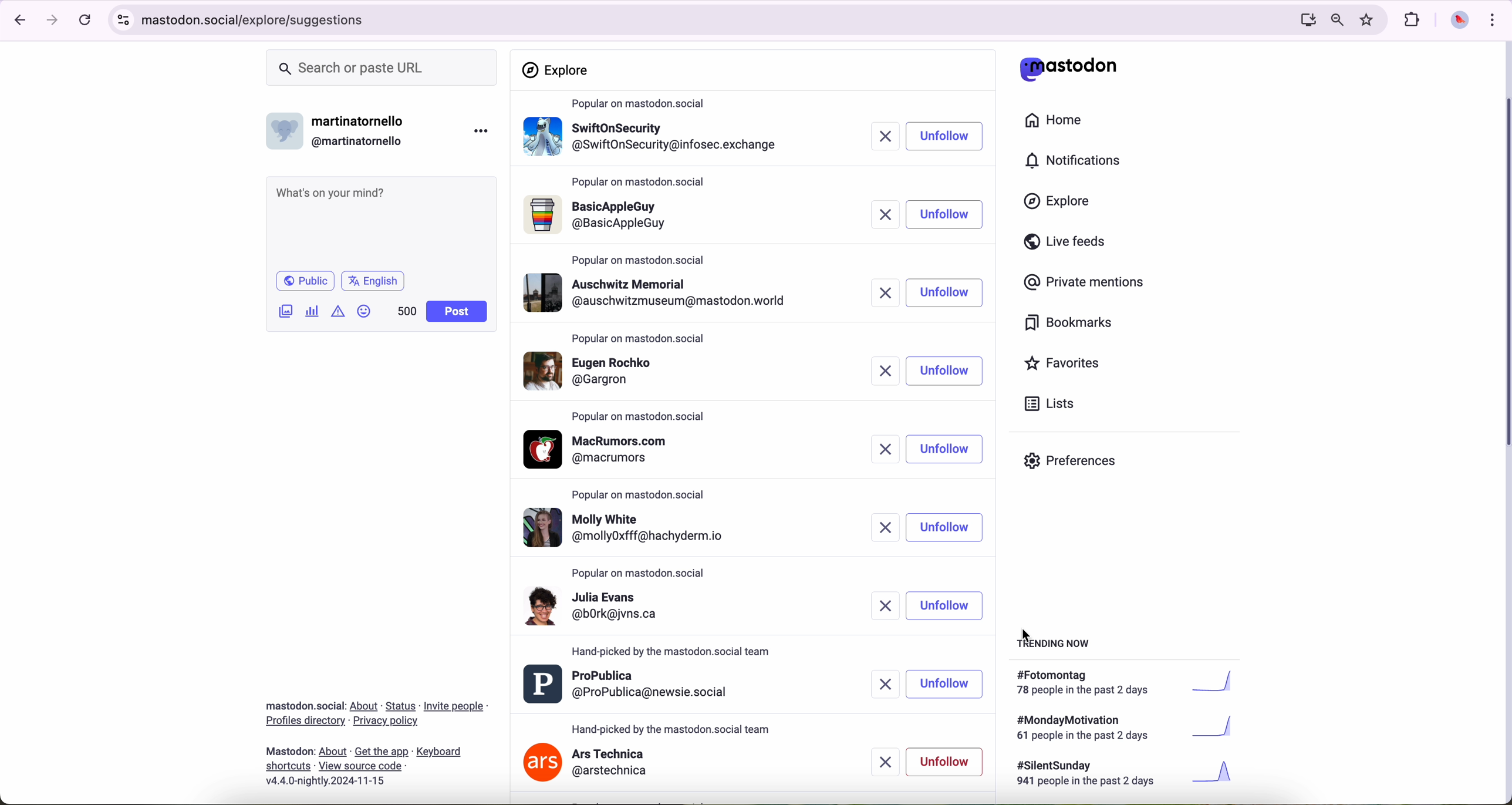 Image resolution: width=1512 pixels, height=805 pixels. What do you see at coordinates (943, 215) in the screenshot?
I see `follow` at bounding box center [943, 215].